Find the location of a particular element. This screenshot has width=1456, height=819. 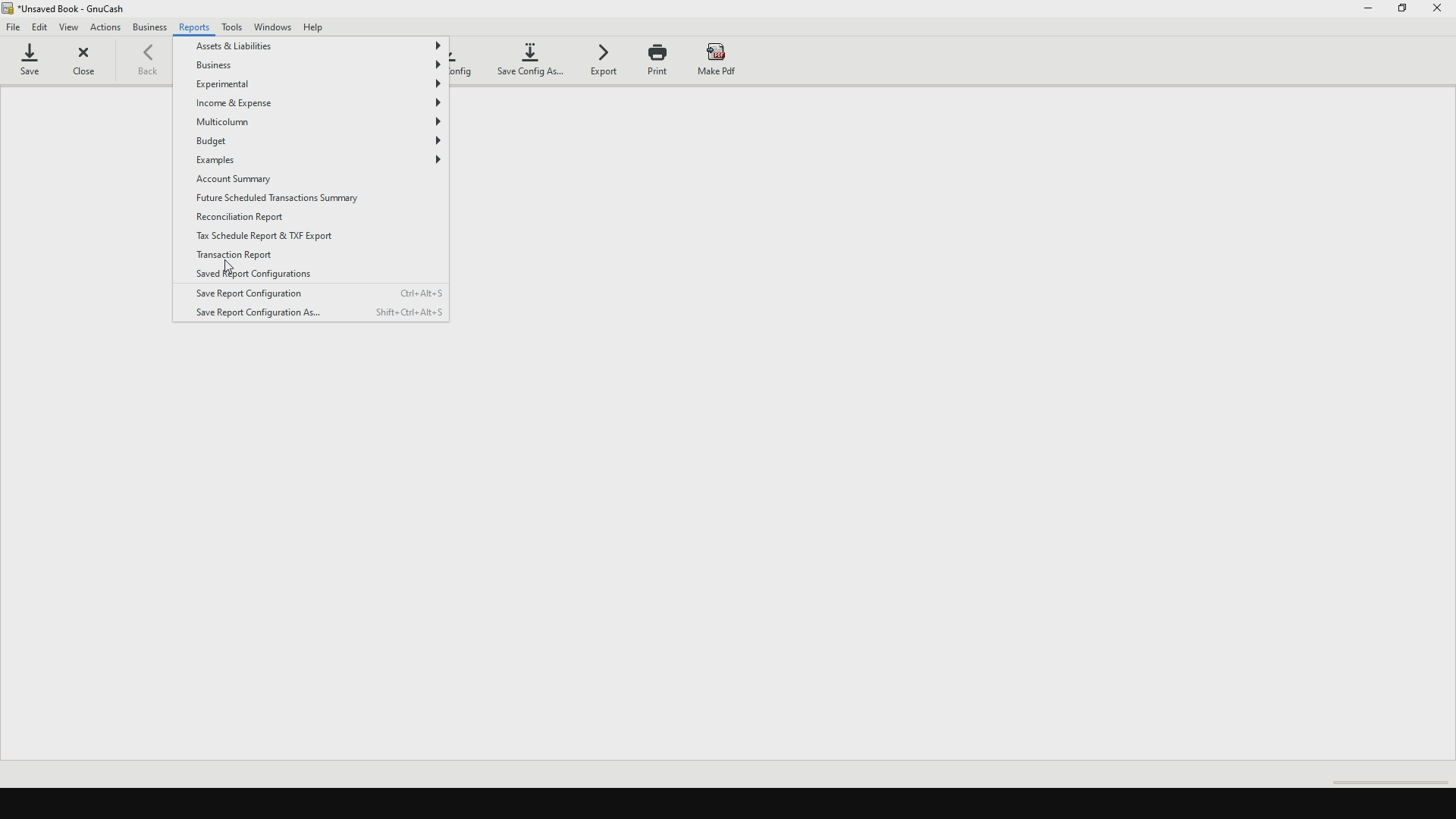

save config as is located at coordinates (531, 59).